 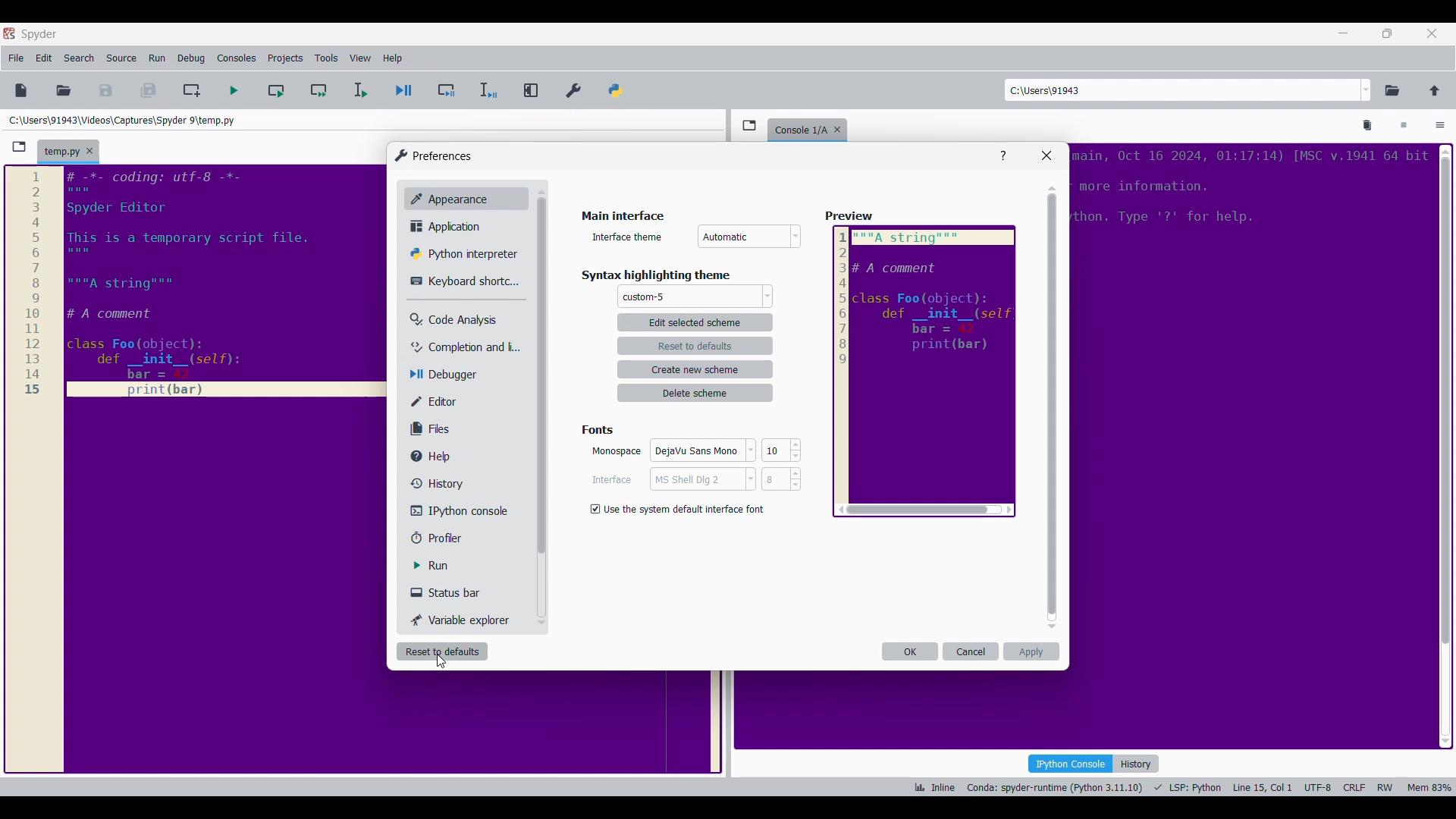 I want to click on Maximize current pane, so click(x=532, y=90).